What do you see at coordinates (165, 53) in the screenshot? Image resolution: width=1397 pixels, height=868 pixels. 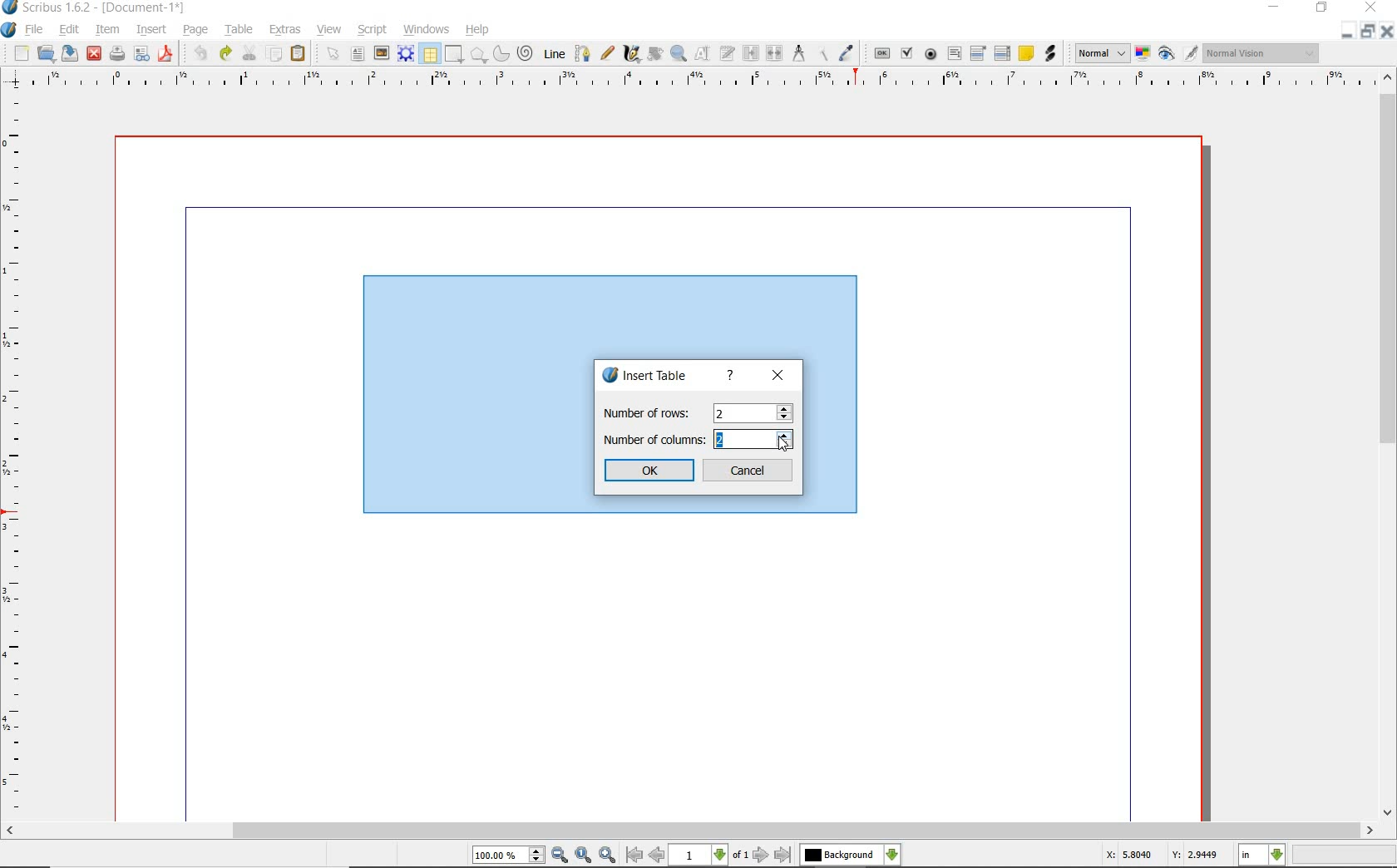 I see `save as pdf` at bounding box center [165, 53].